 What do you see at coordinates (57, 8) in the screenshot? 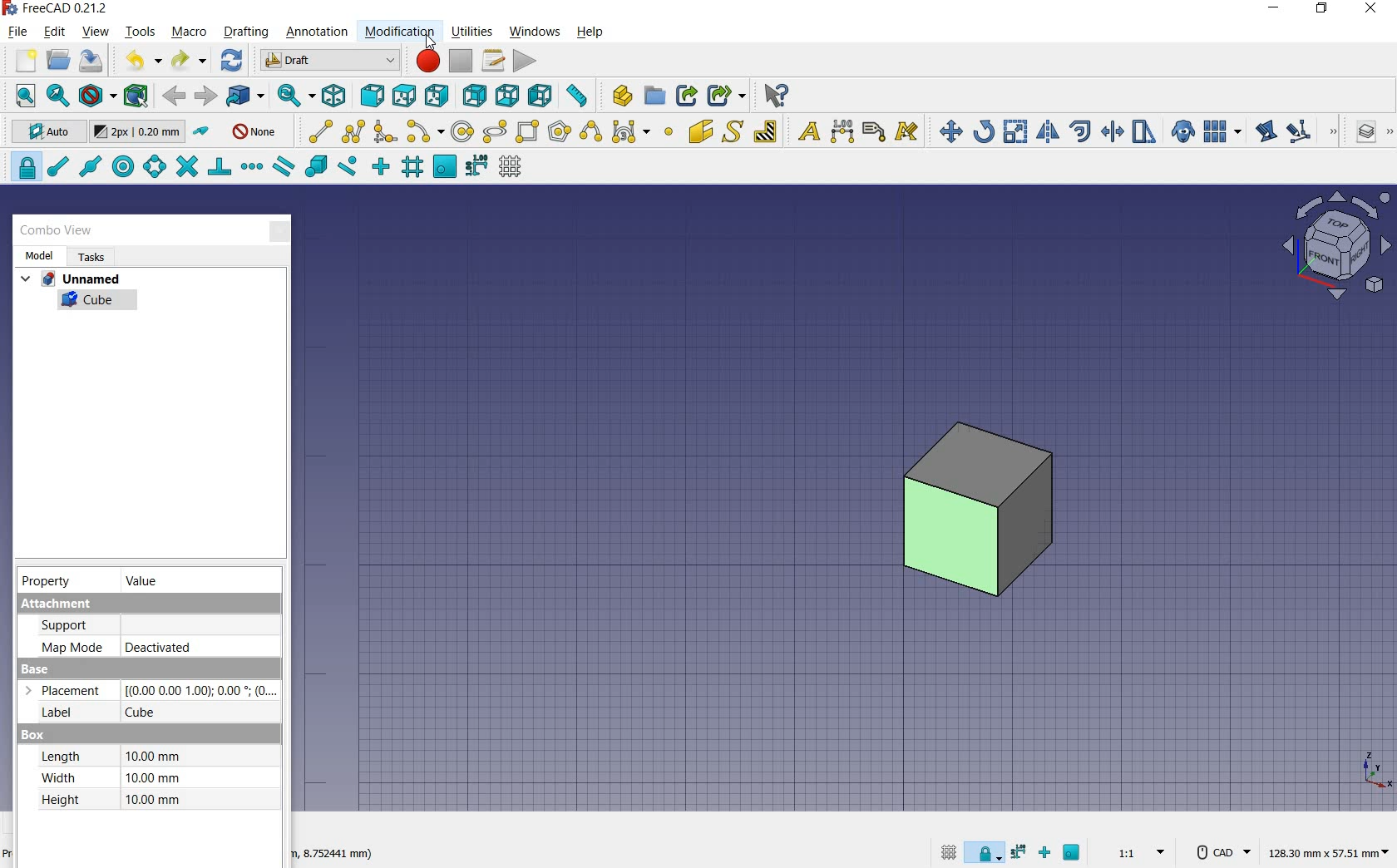
I see `system name` at bounding box center [57, 8].